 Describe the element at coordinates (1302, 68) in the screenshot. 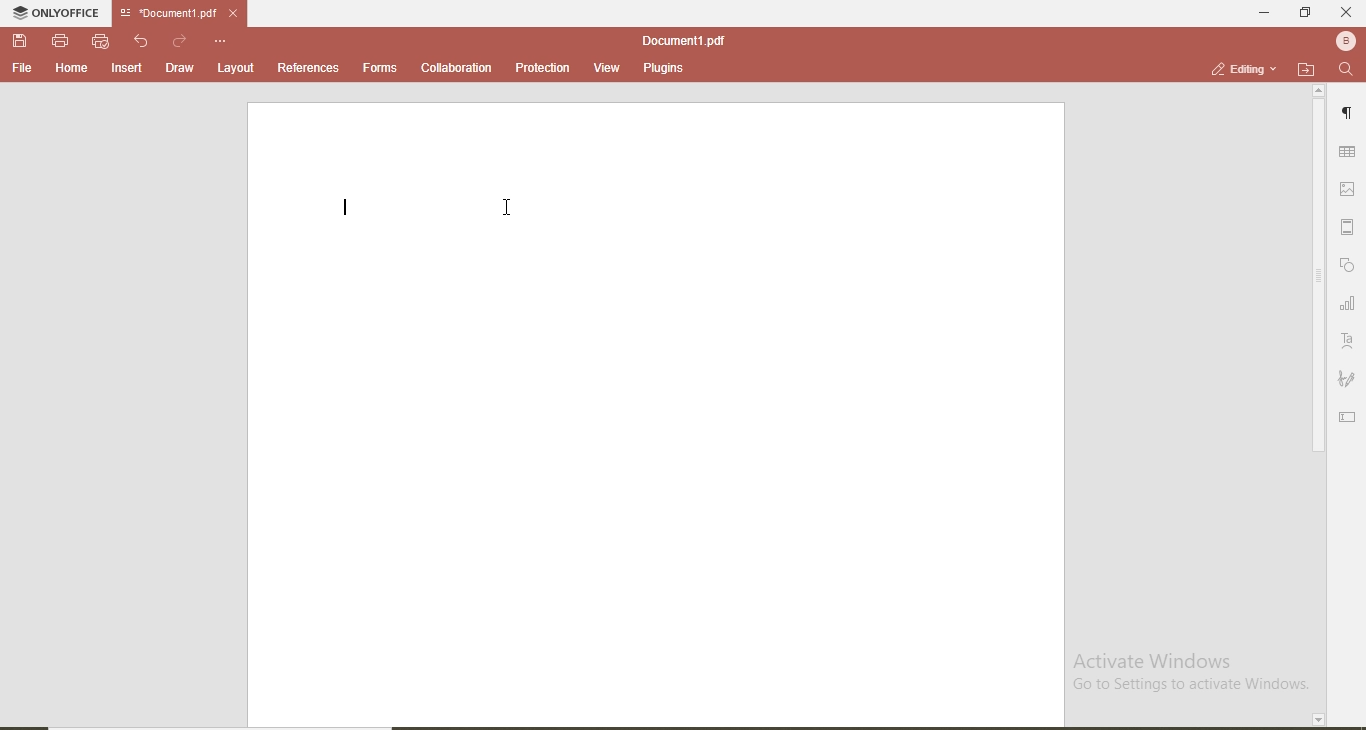

I see `open file loaction` at that location.